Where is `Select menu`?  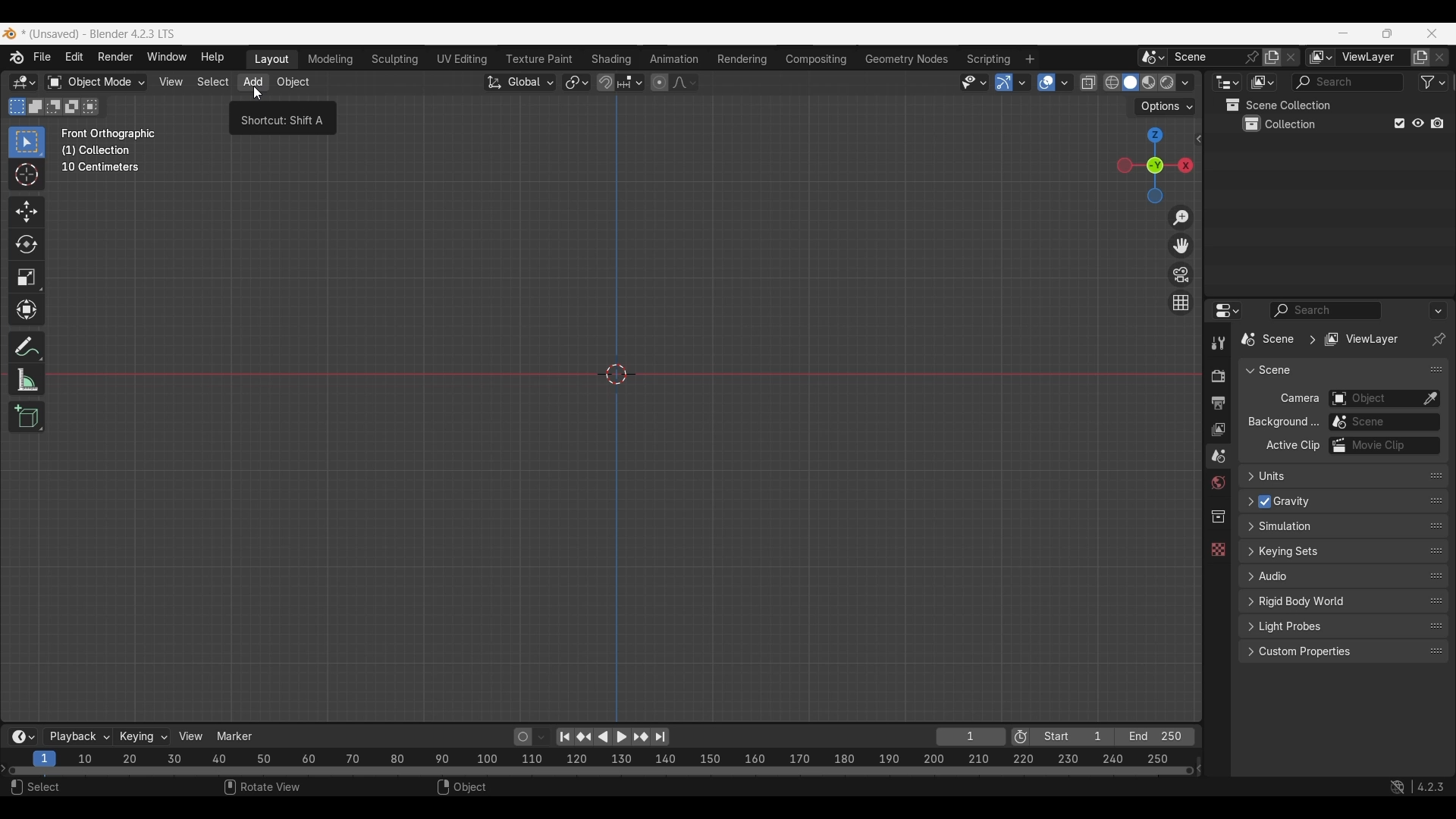
Select menu is located at coordinates (213, 83).